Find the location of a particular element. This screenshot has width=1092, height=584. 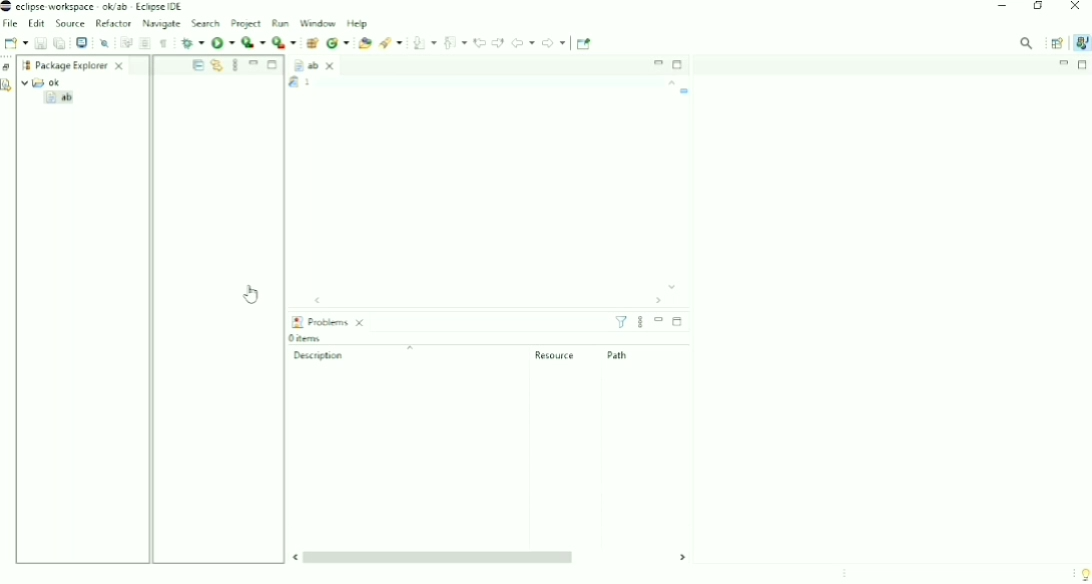

Open a Terminal is located at coordinates (82, 42).